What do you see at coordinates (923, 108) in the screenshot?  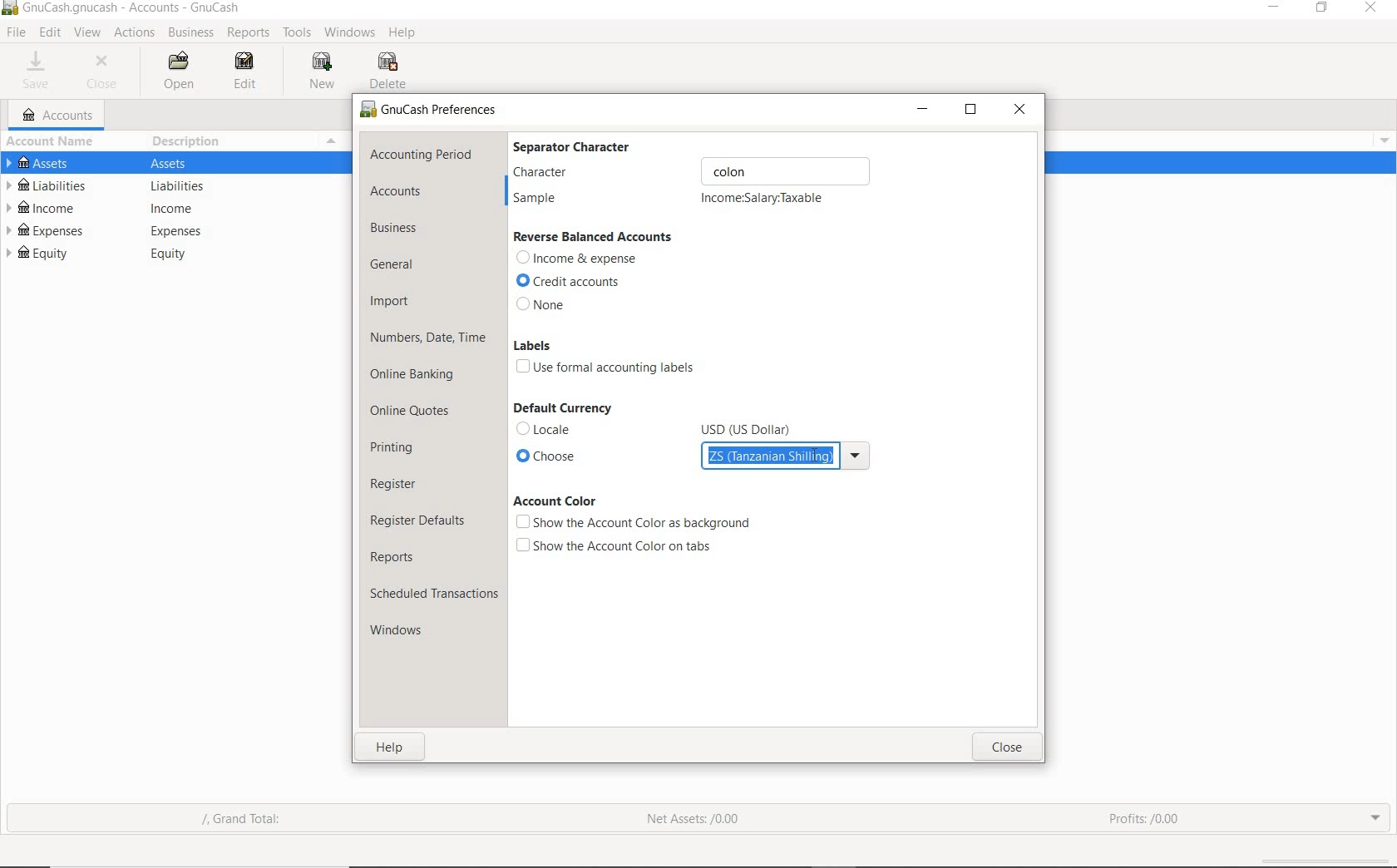 I see `minimize` at bounding box center [923, 108].